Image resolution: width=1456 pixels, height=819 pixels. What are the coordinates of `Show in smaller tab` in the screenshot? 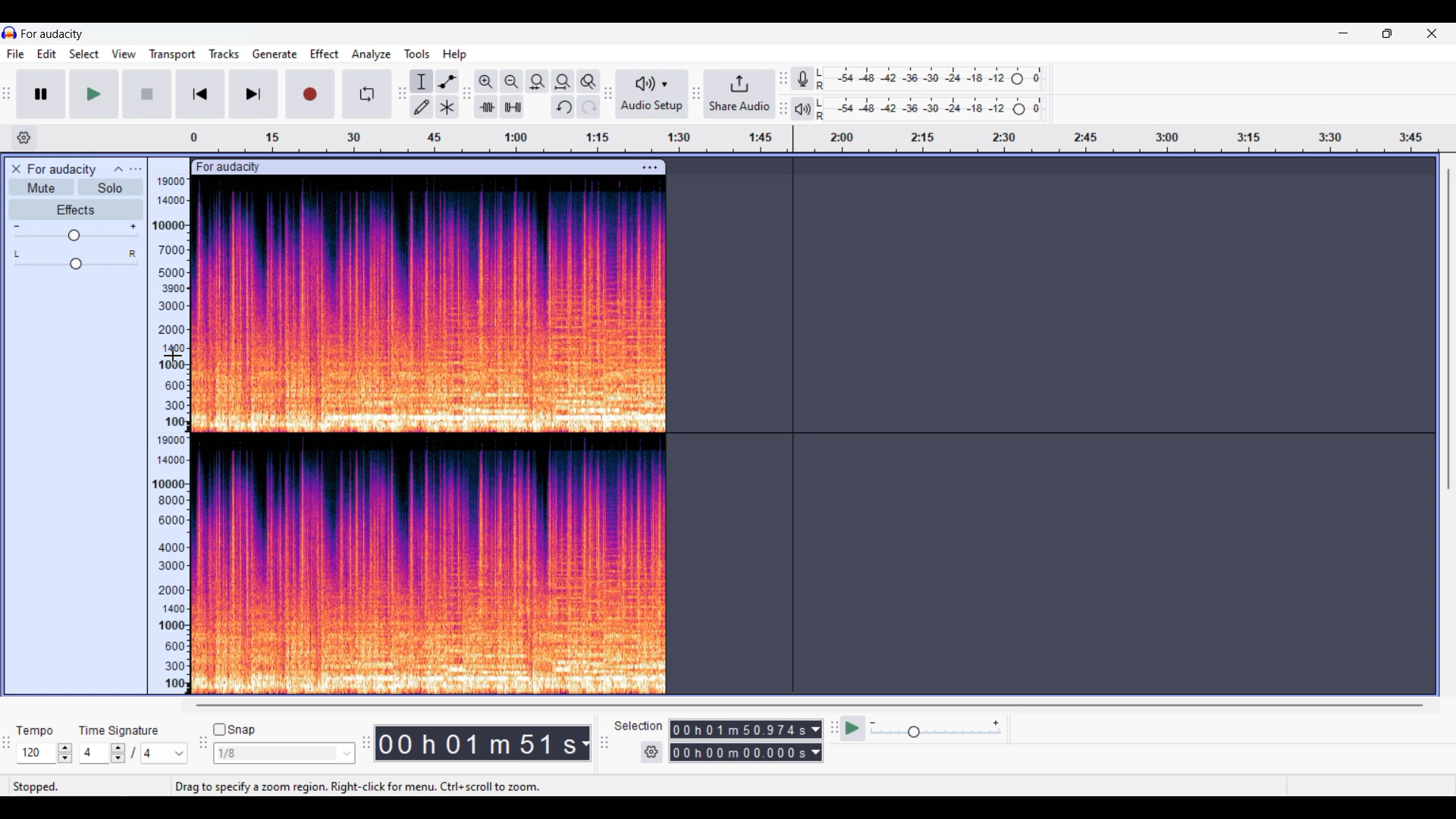 It's located at (1388, 33).